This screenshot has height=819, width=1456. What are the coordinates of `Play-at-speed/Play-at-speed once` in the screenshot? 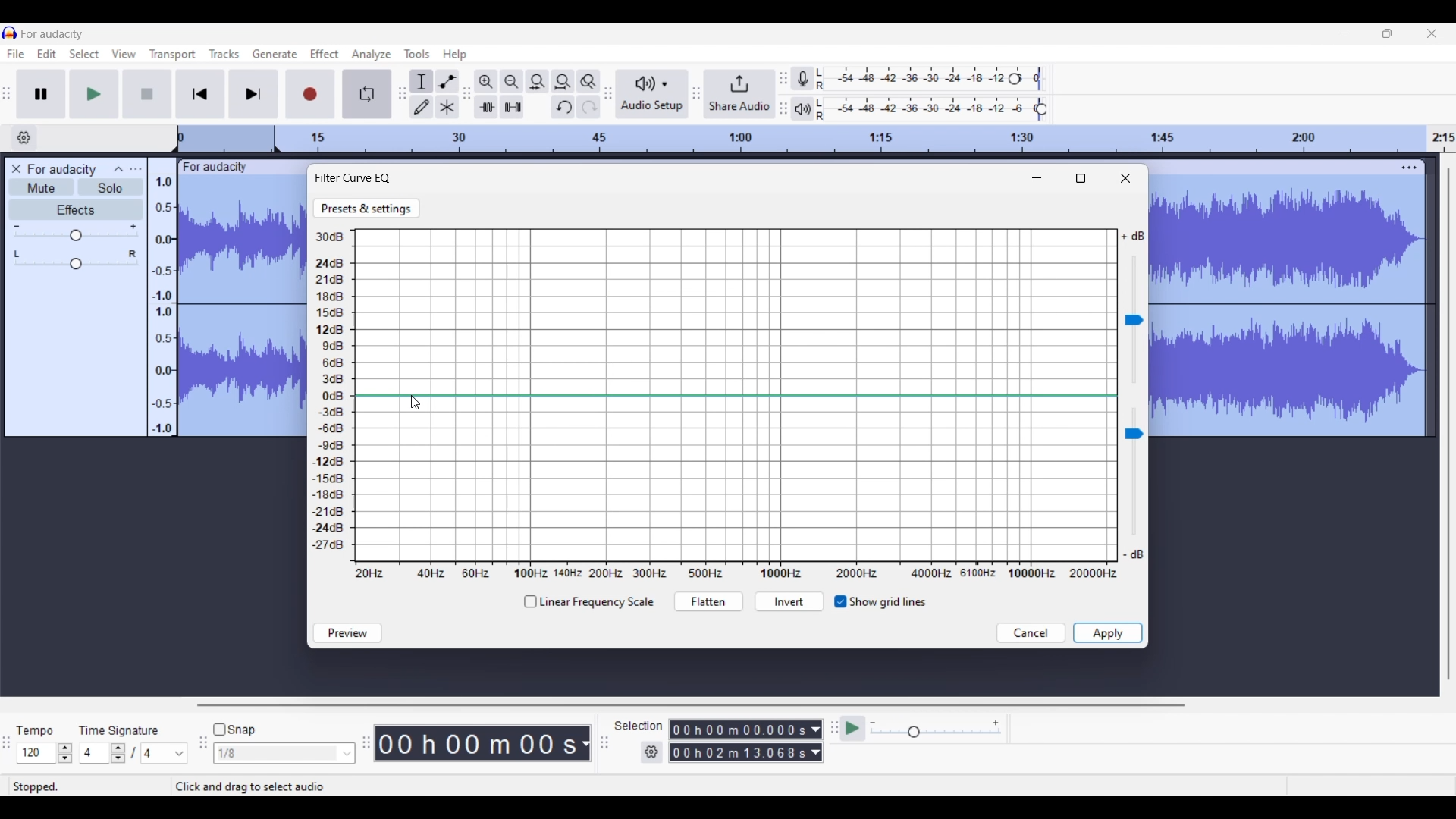 It's located at (854, 729).